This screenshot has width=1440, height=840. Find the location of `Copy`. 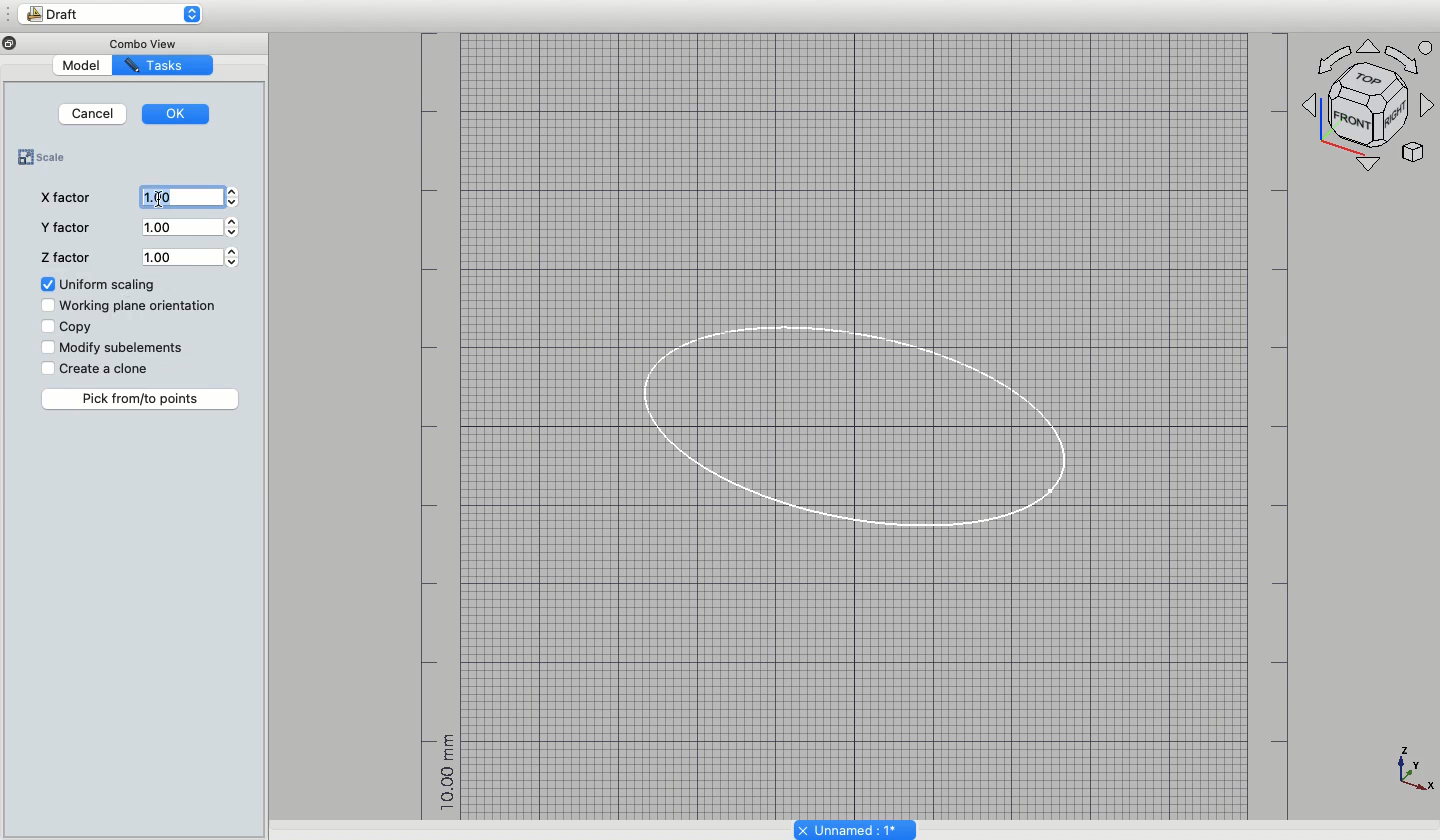

Copy is located at coordinates (72, 328).